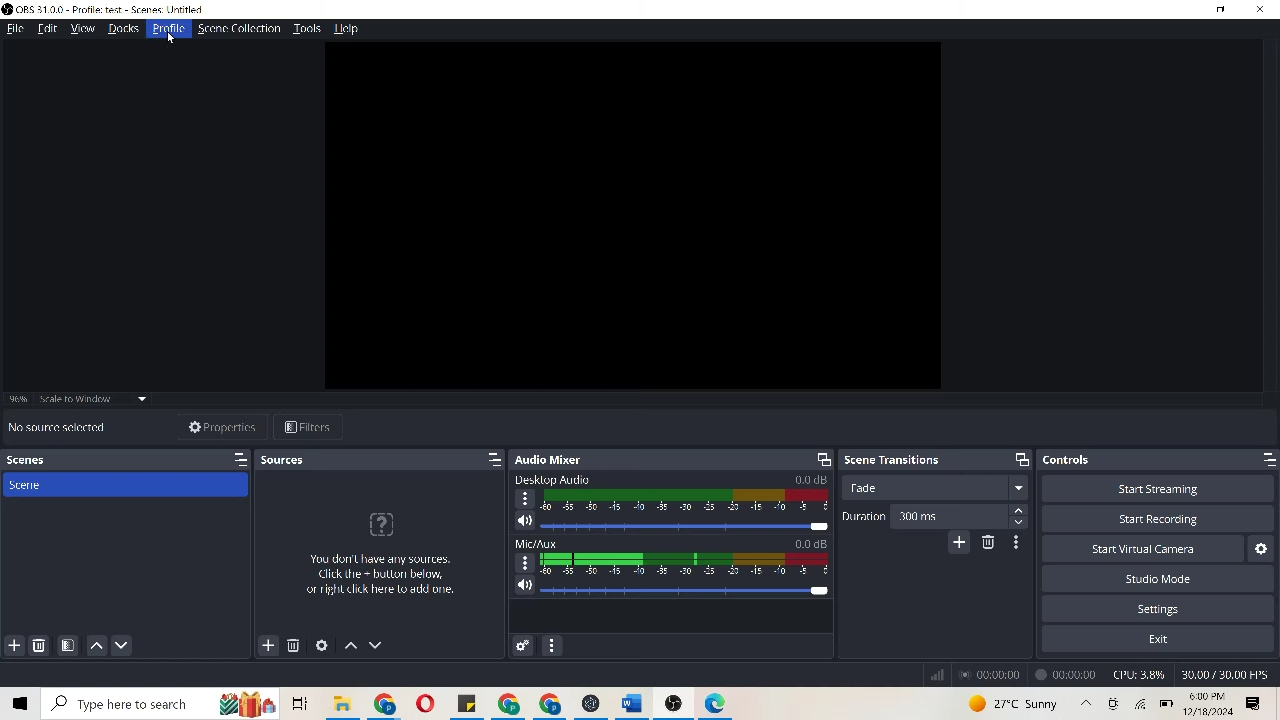  What do you see at coordinates (1224, 673) in the screenshot?
I see `30.00/30.00 FPS` at bounding box center [1224, 673].